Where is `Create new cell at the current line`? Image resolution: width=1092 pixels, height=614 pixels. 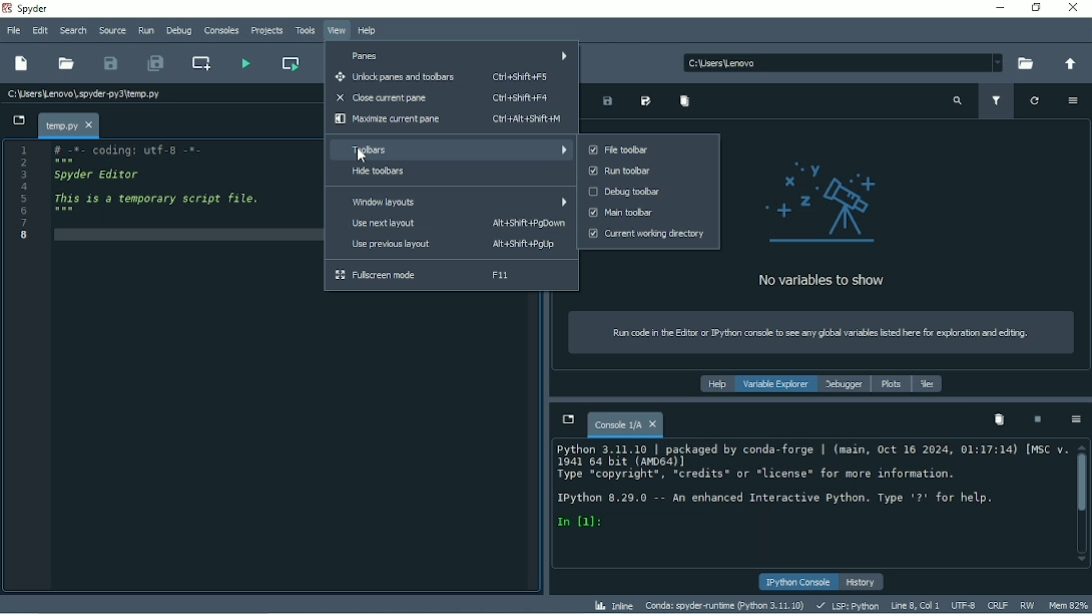
Create new cell at the current line is located at coordinates (201, 63).